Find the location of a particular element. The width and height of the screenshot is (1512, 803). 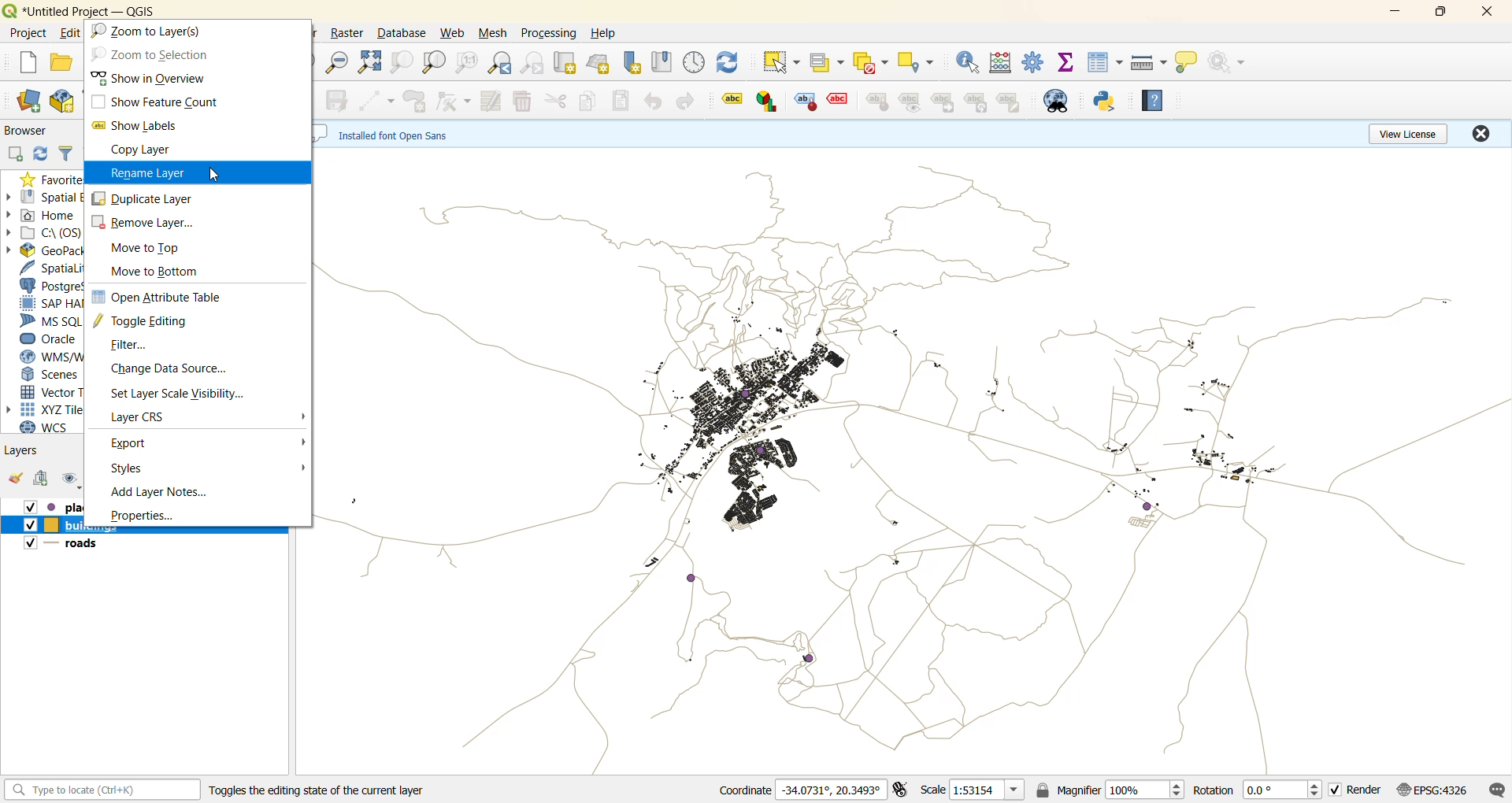

zoom last is located at coordinates (501, 63).